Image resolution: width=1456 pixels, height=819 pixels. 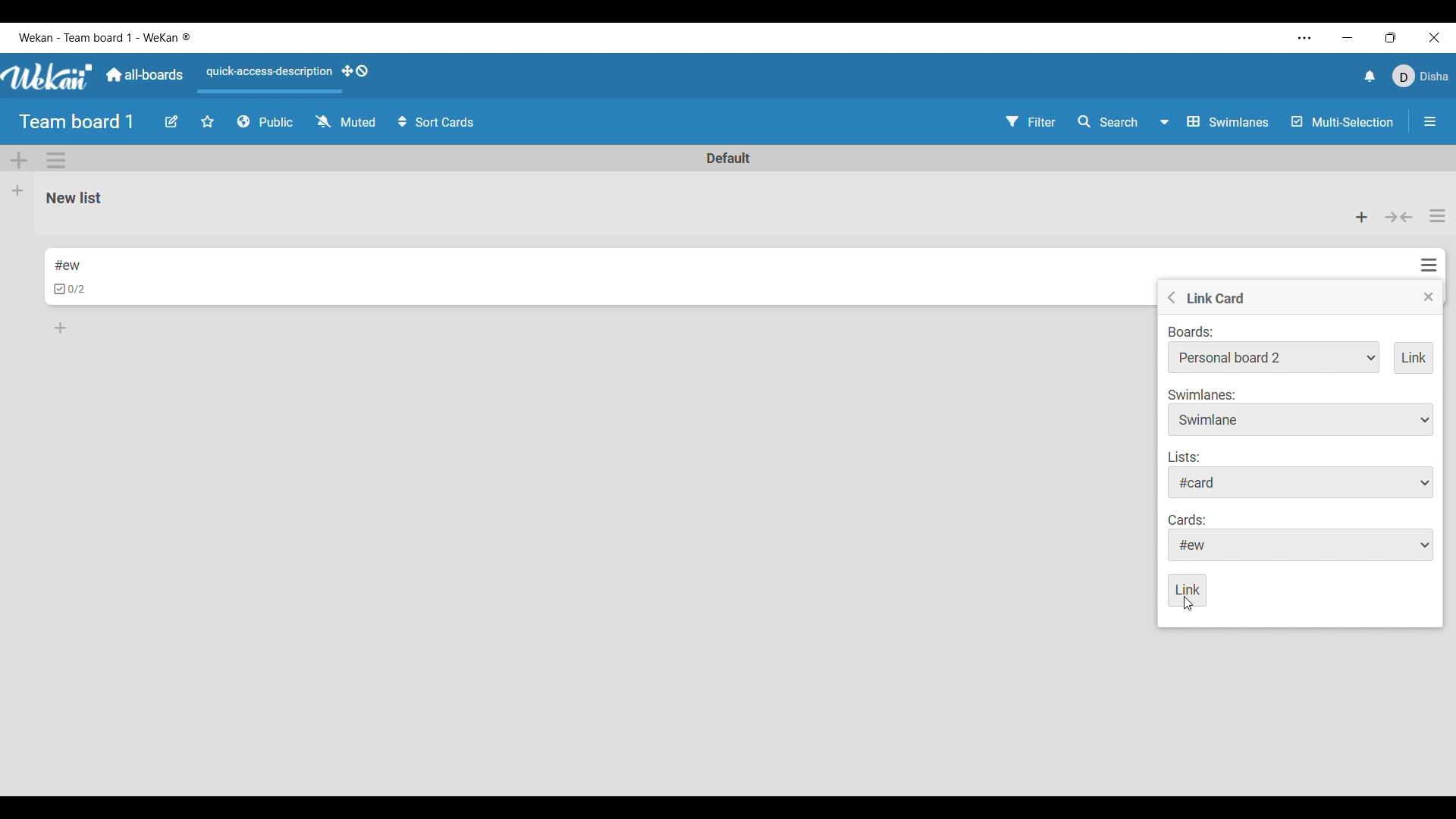 What do you see at coordinates (355, 71) in the screenshot?
I see `Show desktop drag handles` at bounding box center [355, 71].